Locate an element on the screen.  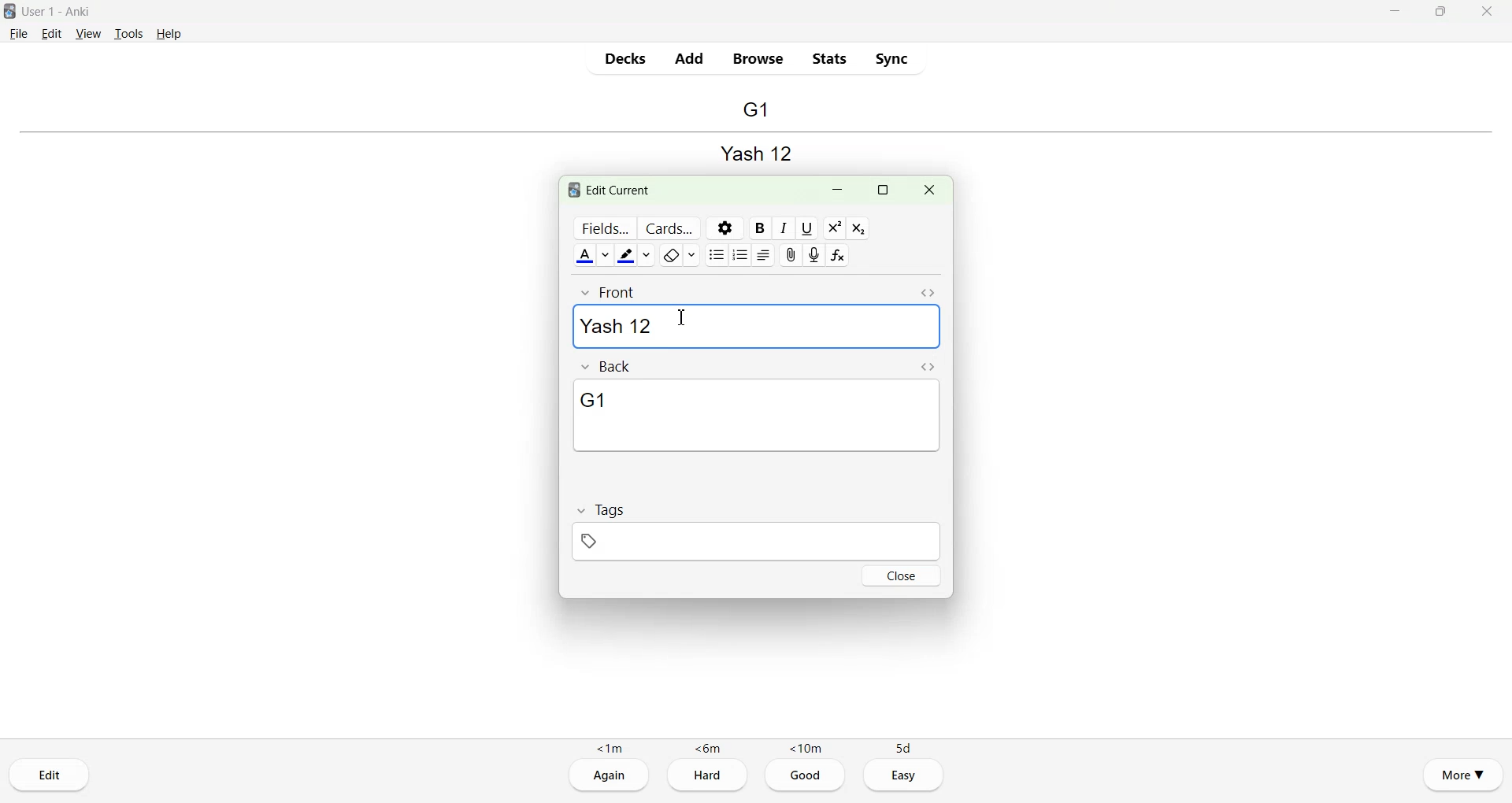
Customize Fields is located at coordinates (602, 228).